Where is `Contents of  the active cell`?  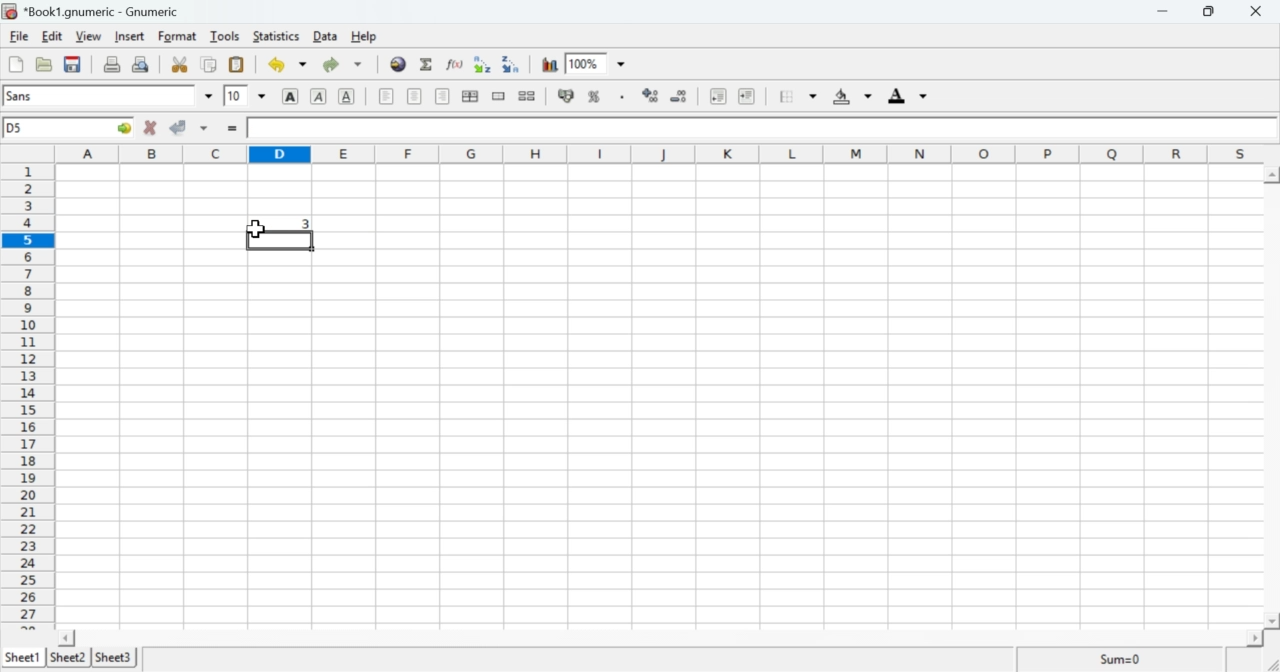 Contents of  the active cell is located at coordinates (756, 129).